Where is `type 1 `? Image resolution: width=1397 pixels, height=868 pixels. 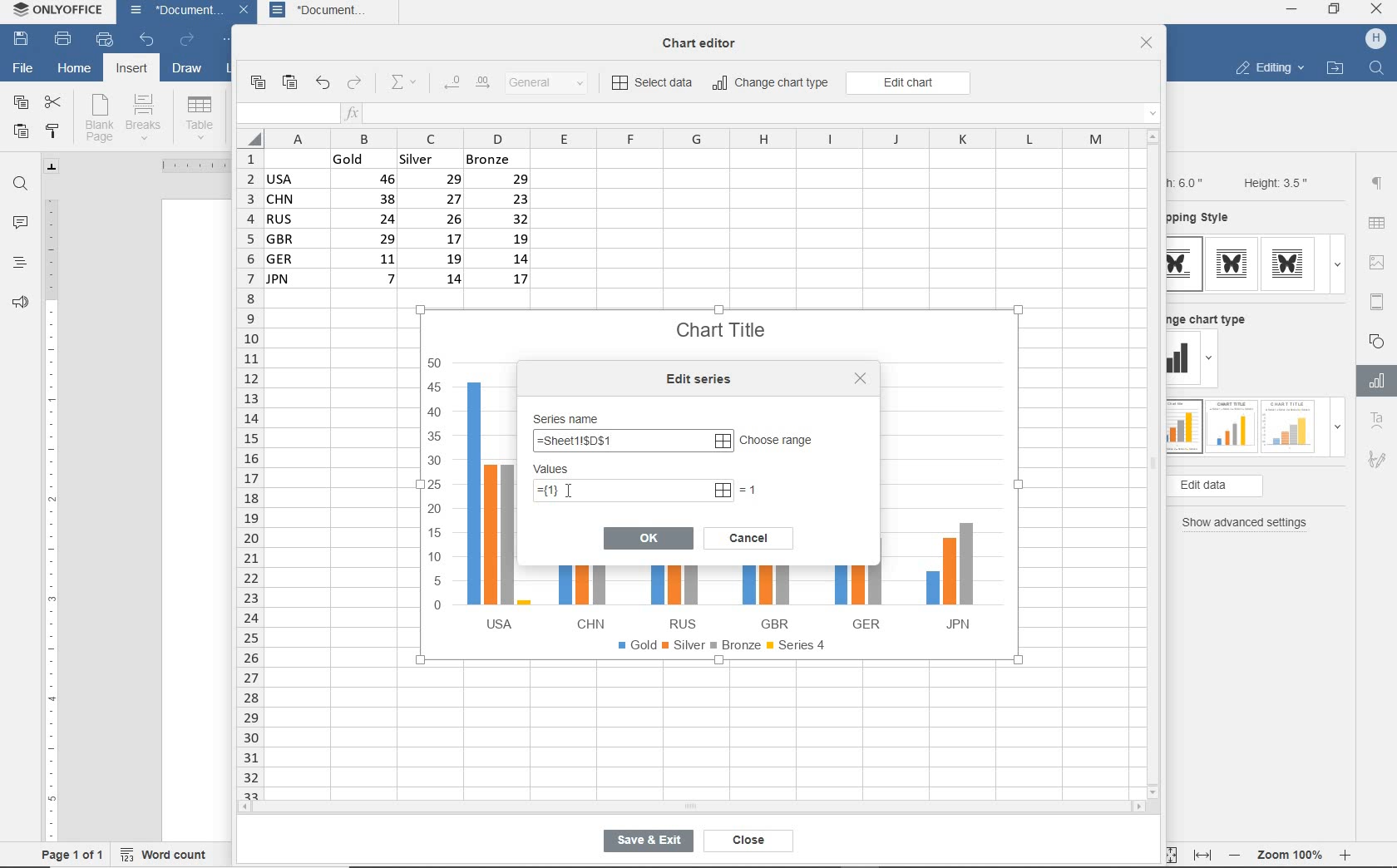
type 1  is located at coordinates (1183, 427).